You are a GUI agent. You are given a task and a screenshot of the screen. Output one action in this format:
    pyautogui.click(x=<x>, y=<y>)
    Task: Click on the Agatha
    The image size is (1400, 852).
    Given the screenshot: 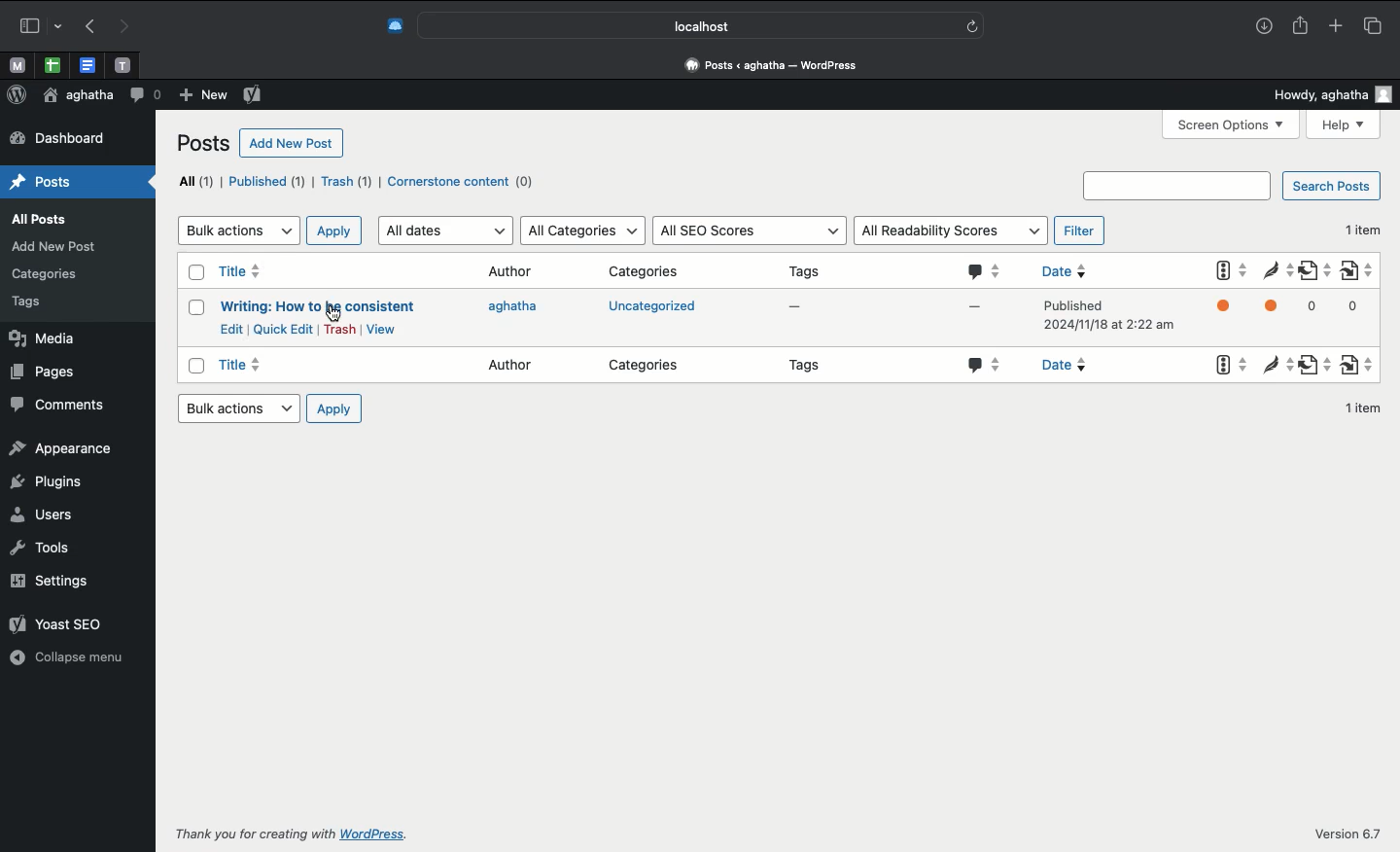 What is the action you would take?
    pyautogui.click(x=507, y=307)
    